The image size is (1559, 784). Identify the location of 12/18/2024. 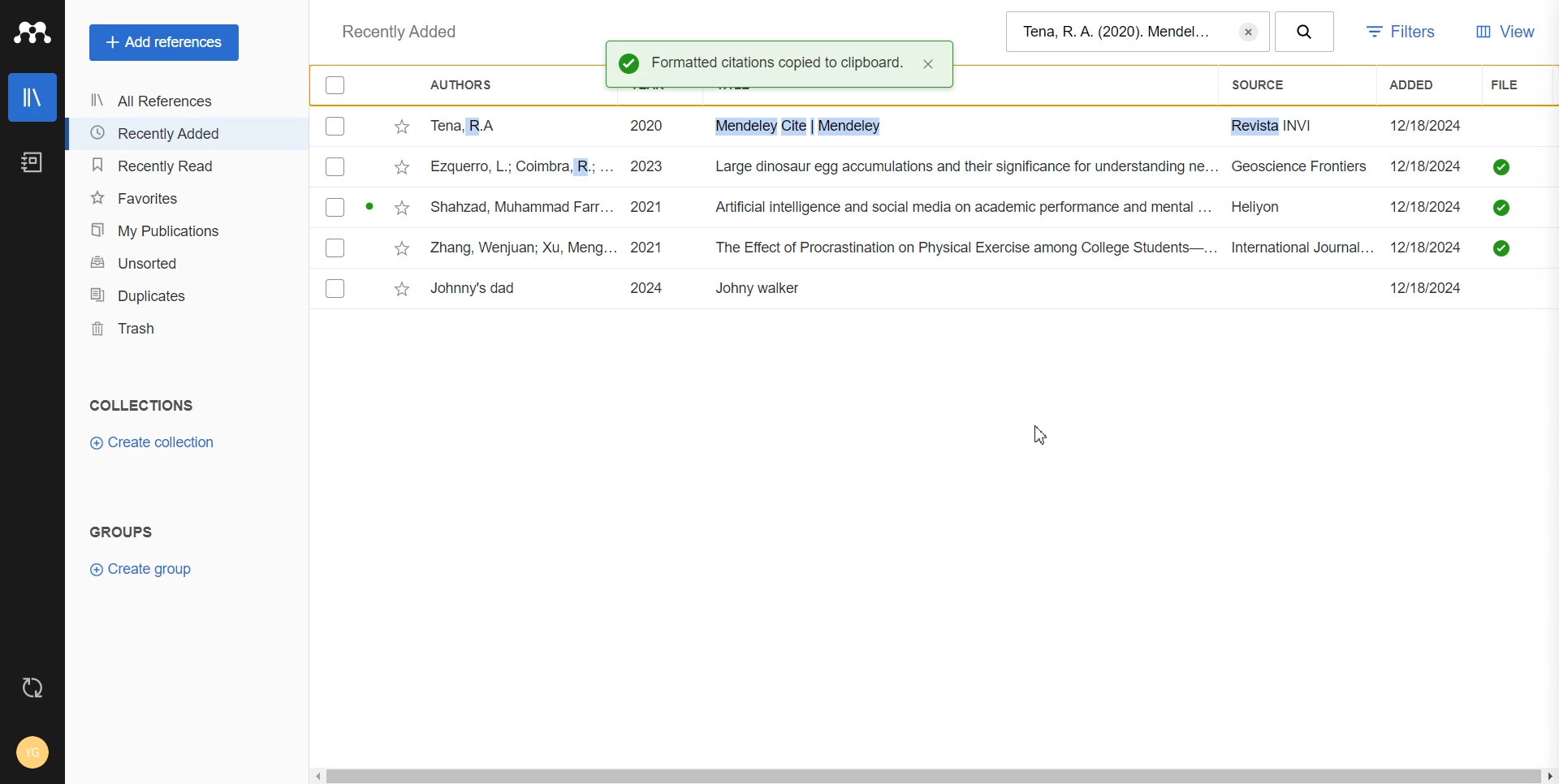
(1431, 245).